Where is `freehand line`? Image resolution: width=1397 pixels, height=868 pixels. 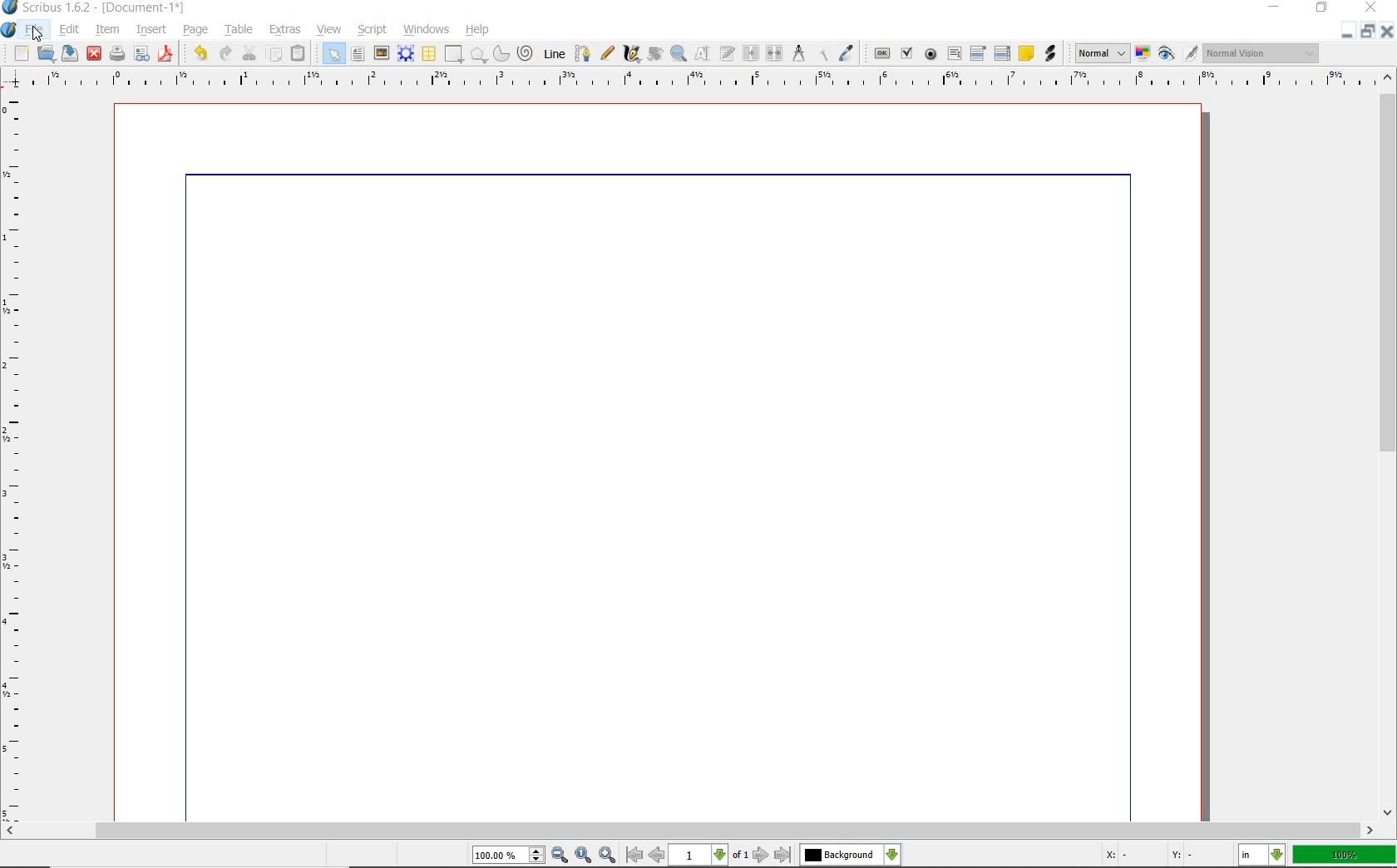
freehand line is located at coordinates (606, 52).